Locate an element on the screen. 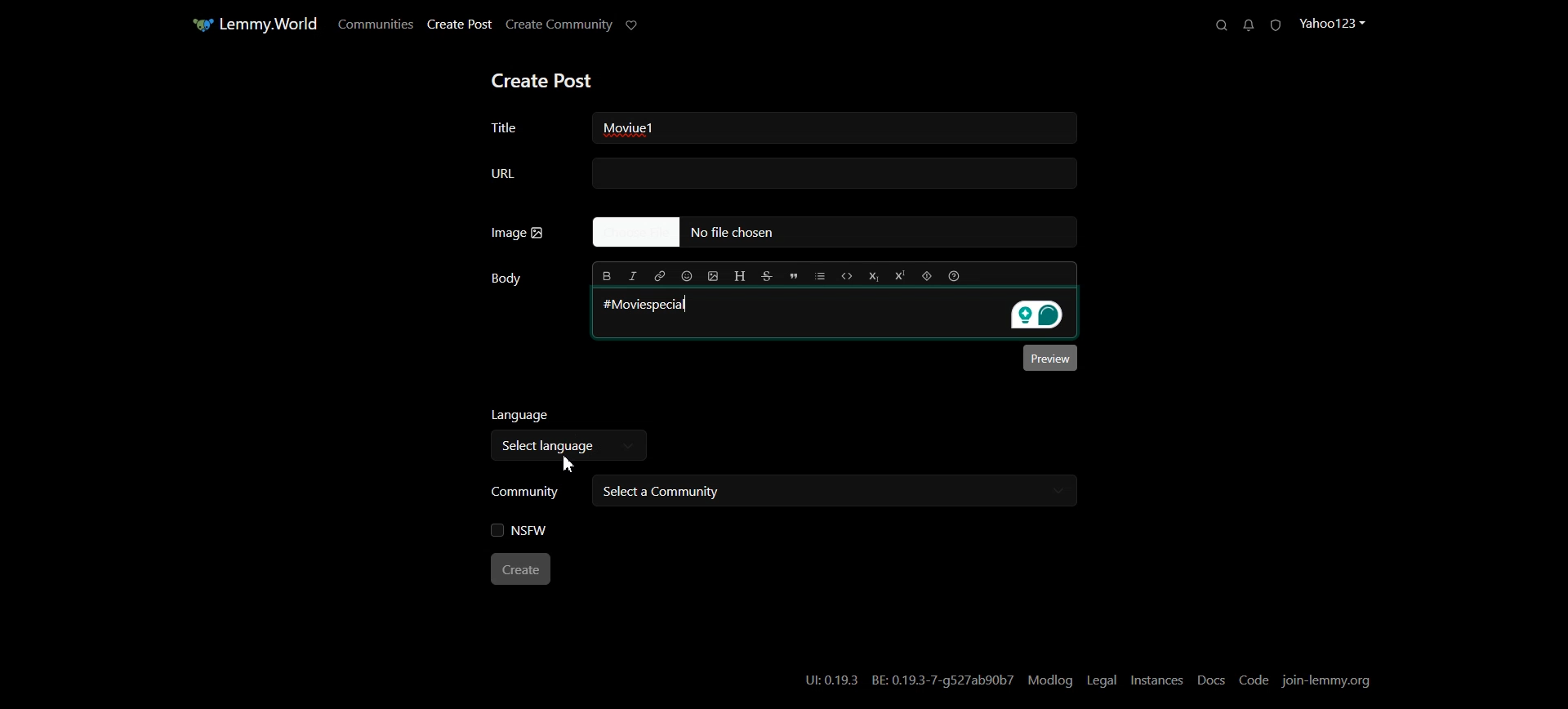 This screenshot has height=709, width=1568. Strikethrough is located at coordinates (768, 276).